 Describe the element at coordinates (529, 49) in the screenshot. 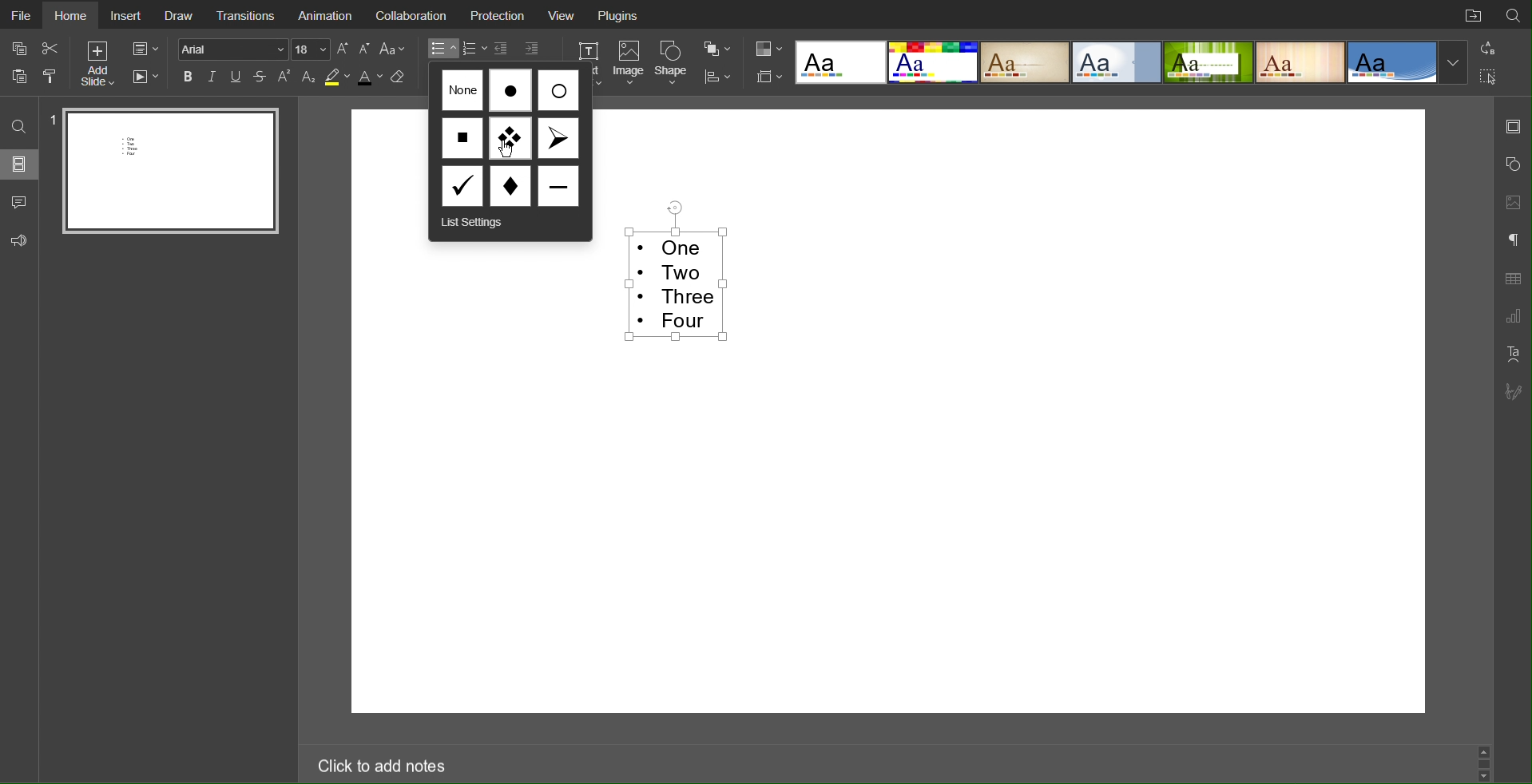

I see `Increase Indent` at that location.